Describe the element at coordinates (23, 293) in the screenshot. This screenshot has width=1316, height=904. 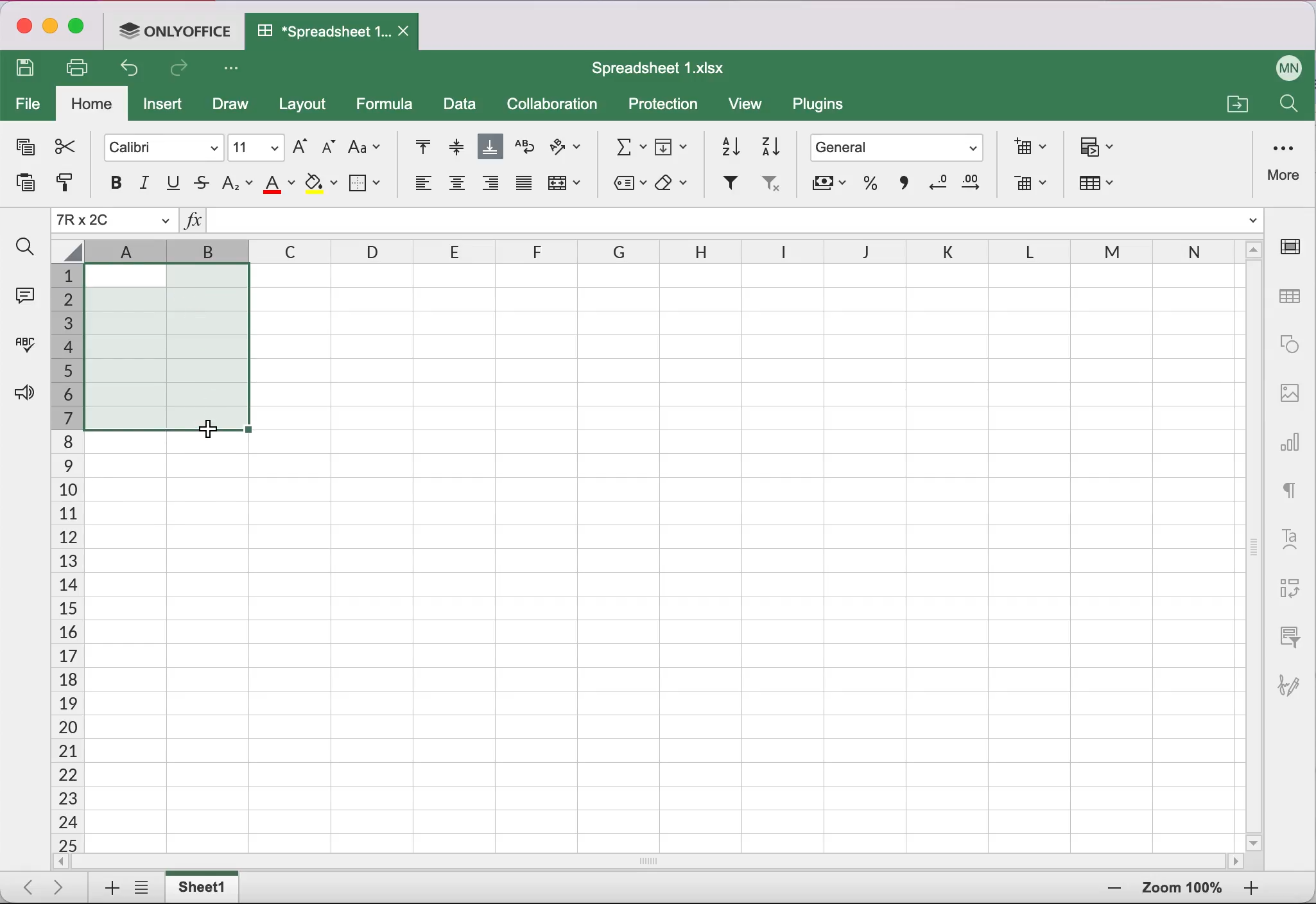
I see `comments` at that location.